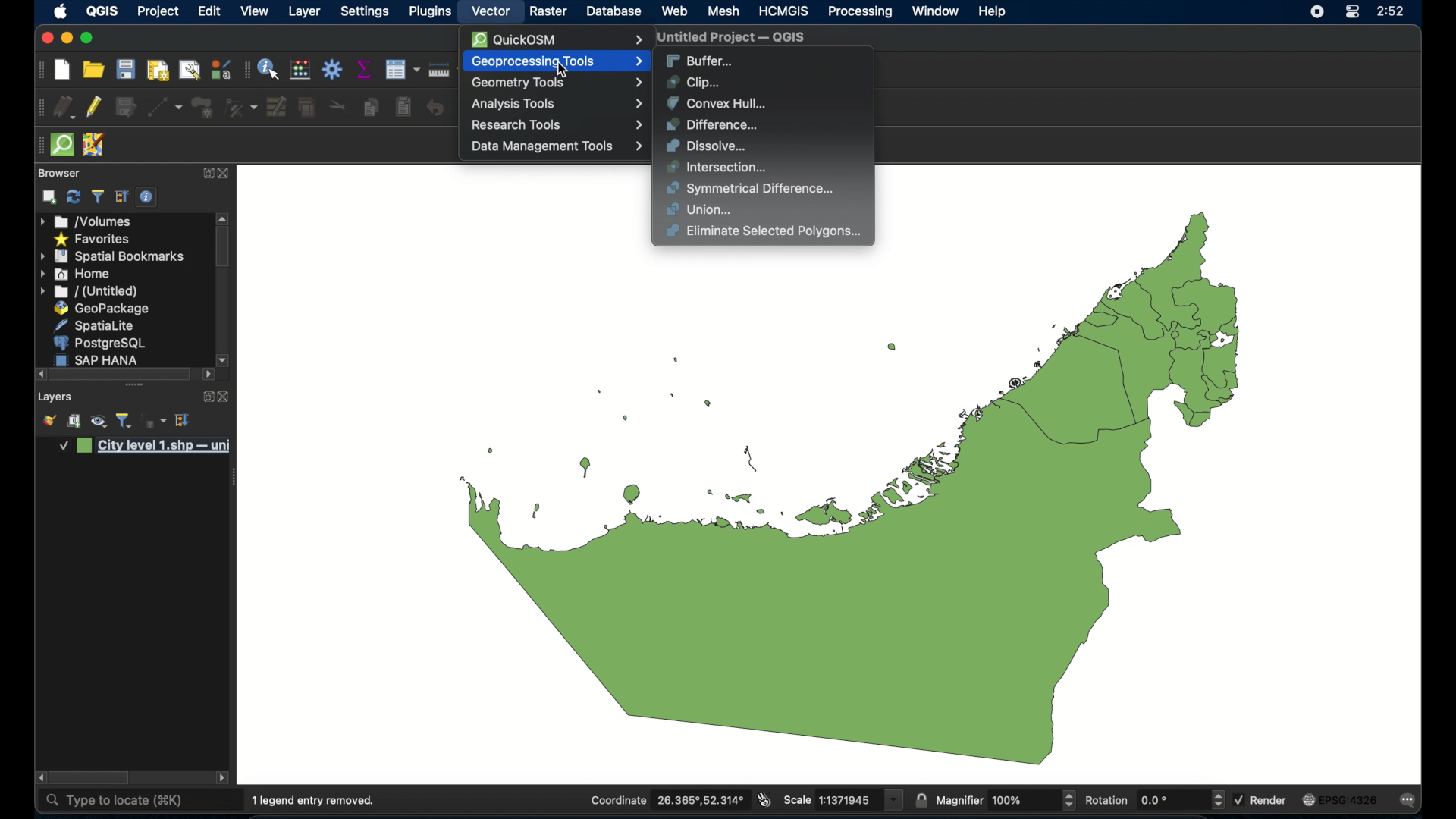 The width and height of the screenshot is (1456, 819). Describe the element at coordinates (77, 274) in the screenshot. I see `home` at that location.